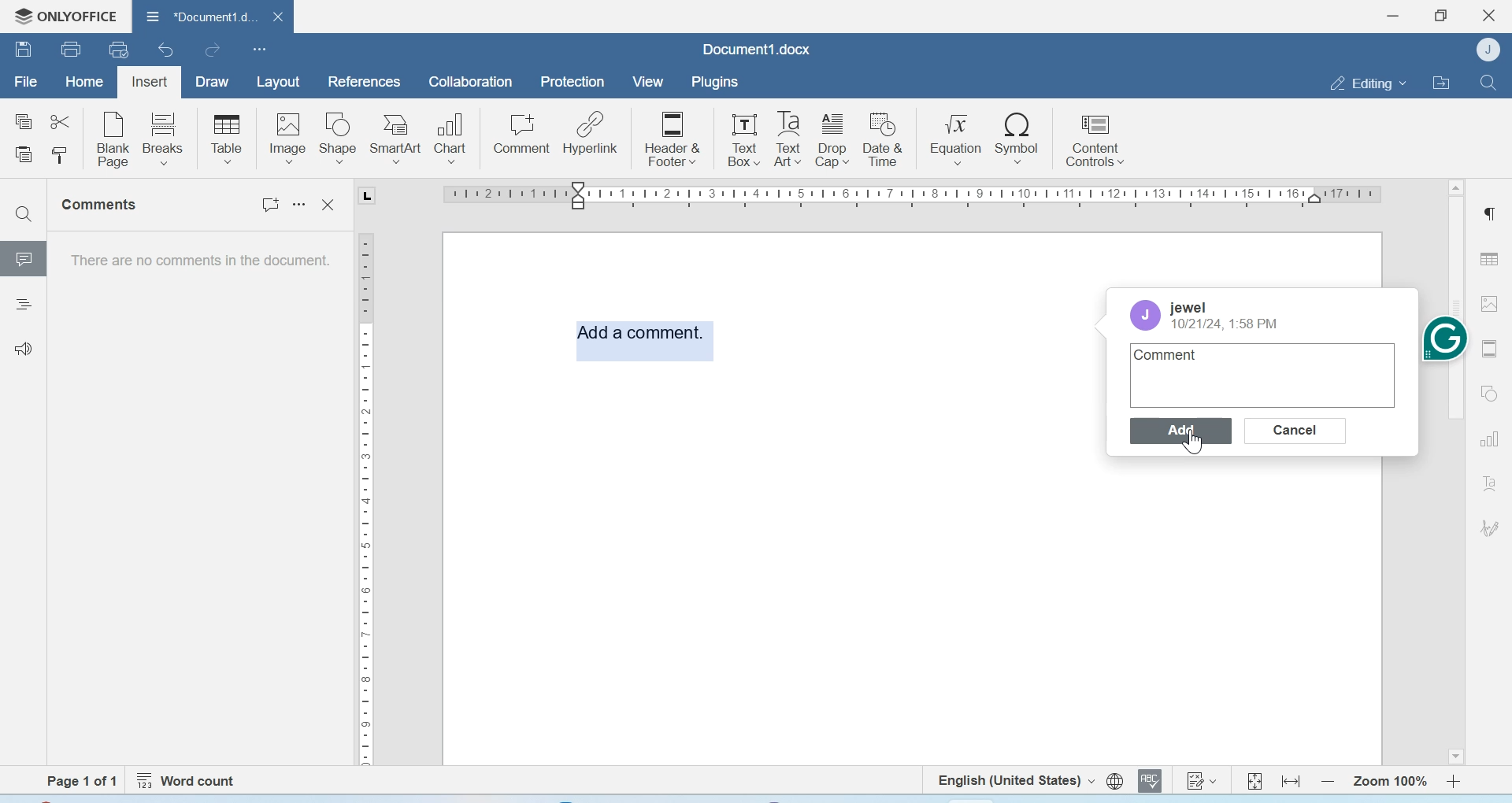  What do you see at coordinates (365, 81) in the screenshot?
I see `References` at bounding box center [365, 81].